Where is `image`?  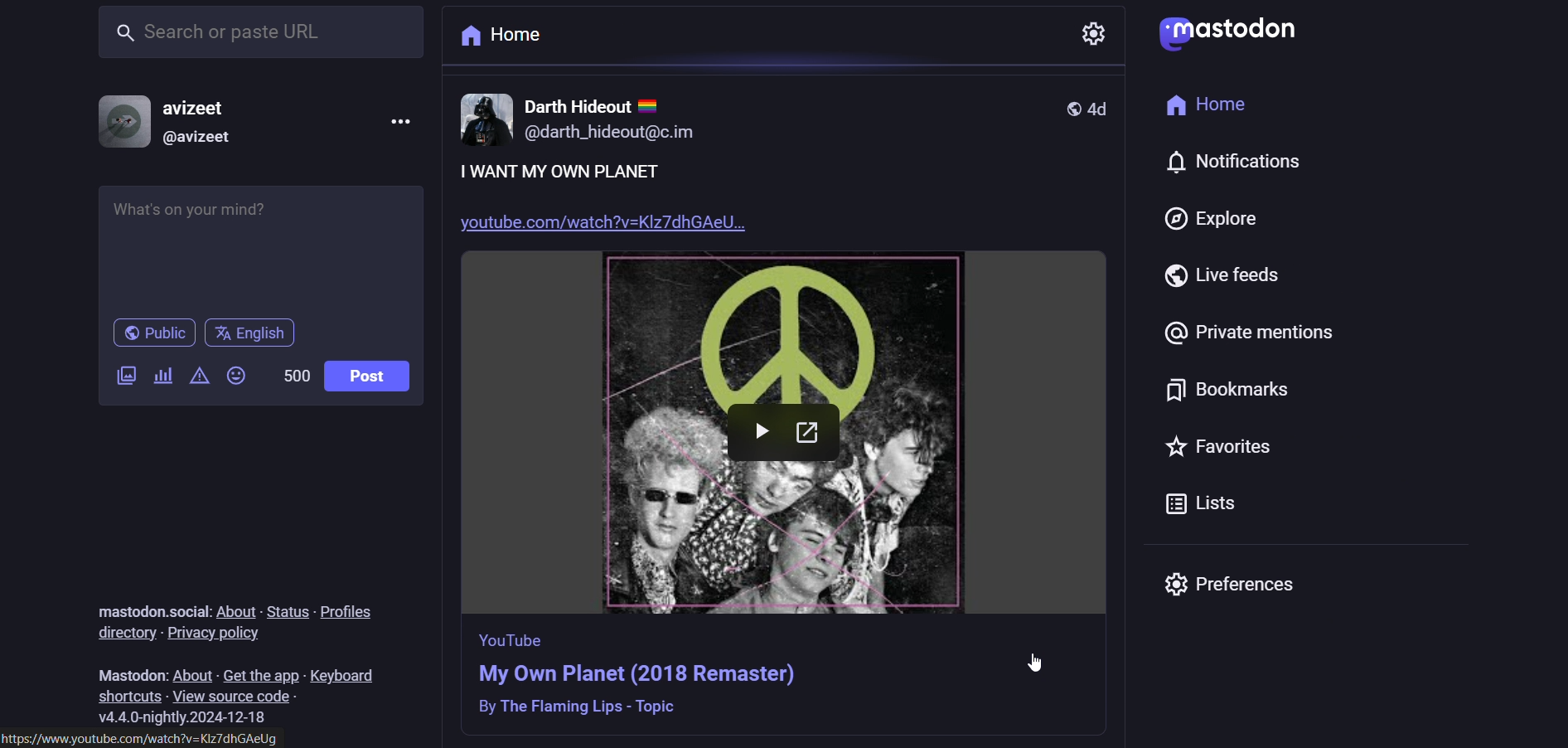 image is located at coordinates (479, 117).